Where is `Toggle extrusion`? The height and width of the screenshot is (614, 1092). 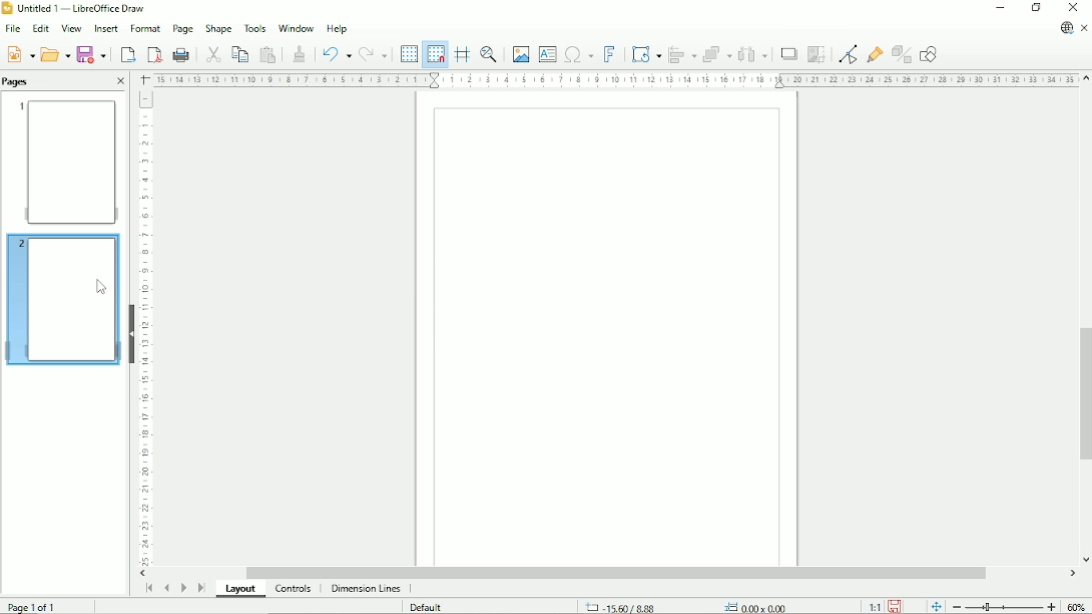
Toggle extrusion is located at coordinates (903, 55).